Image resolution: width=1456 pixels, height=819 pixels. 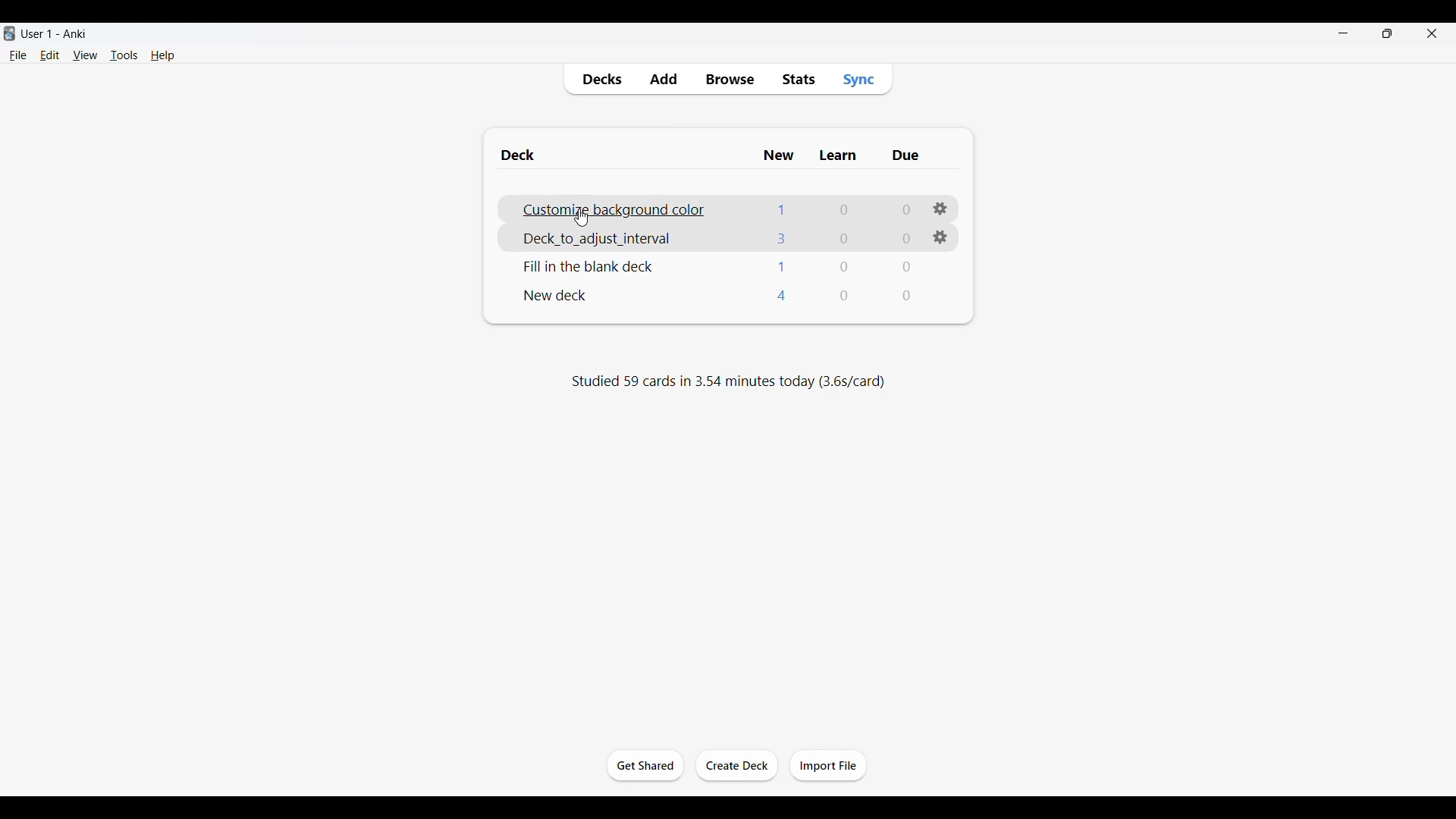 I want to click on Edit menu, so click(x=50, y=55).